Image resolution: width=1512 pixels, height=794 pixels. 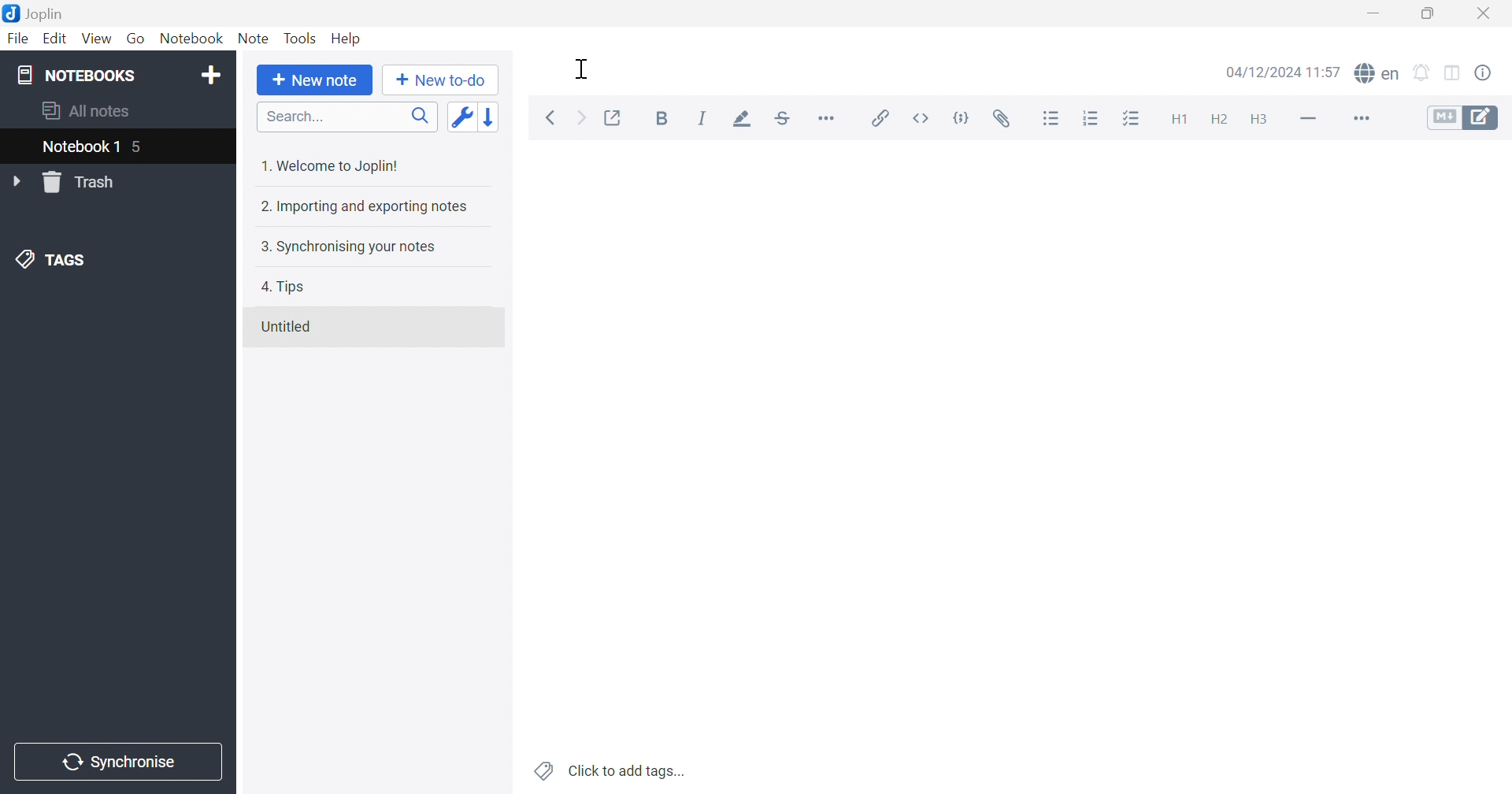 What do you see at coordinates (1466, 119) in the screenshot?
I see `Toggle editors` at bounding box center [1466, 119].